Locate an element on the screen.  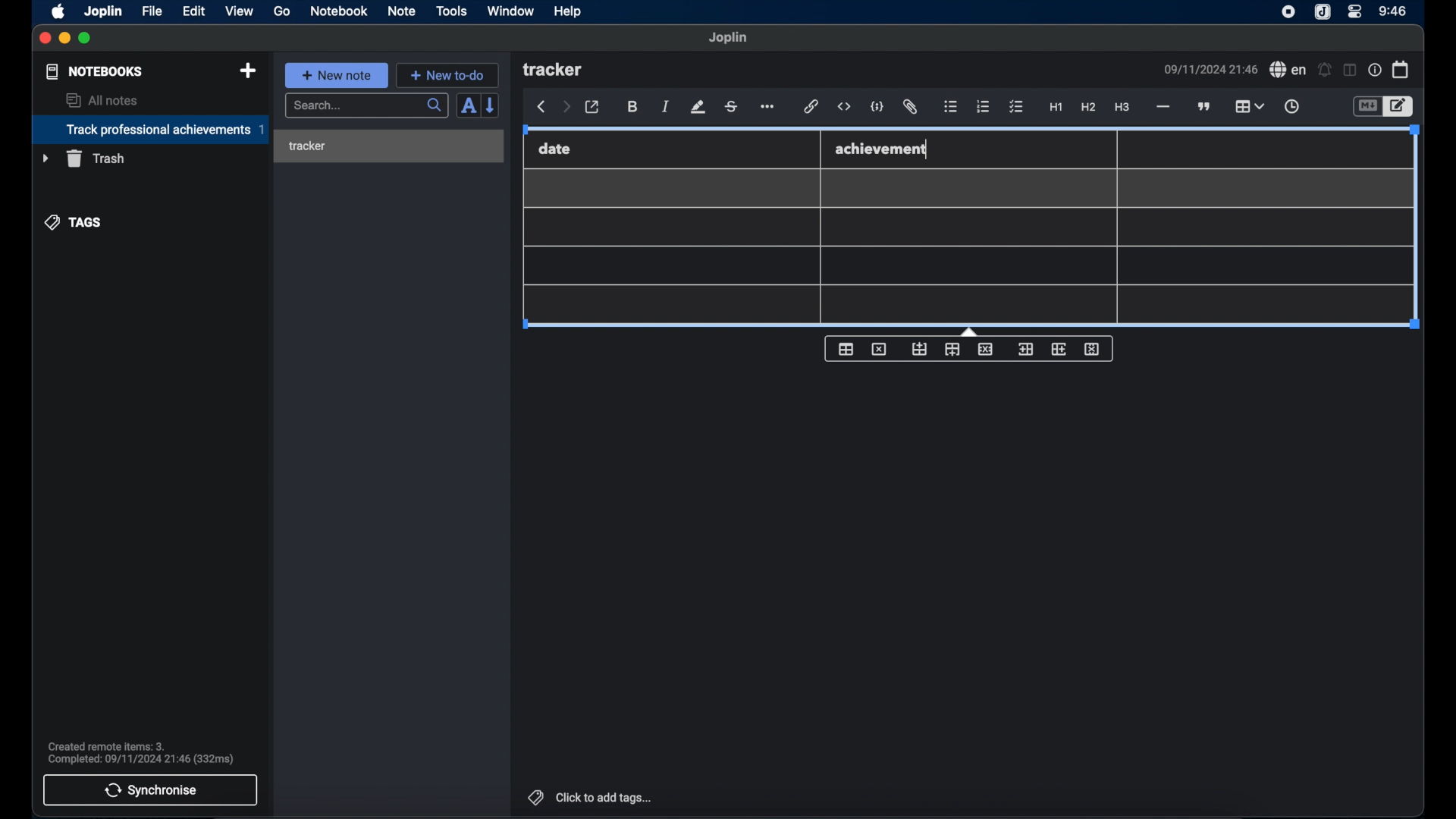
achievement is located at coordinates (883, 149).